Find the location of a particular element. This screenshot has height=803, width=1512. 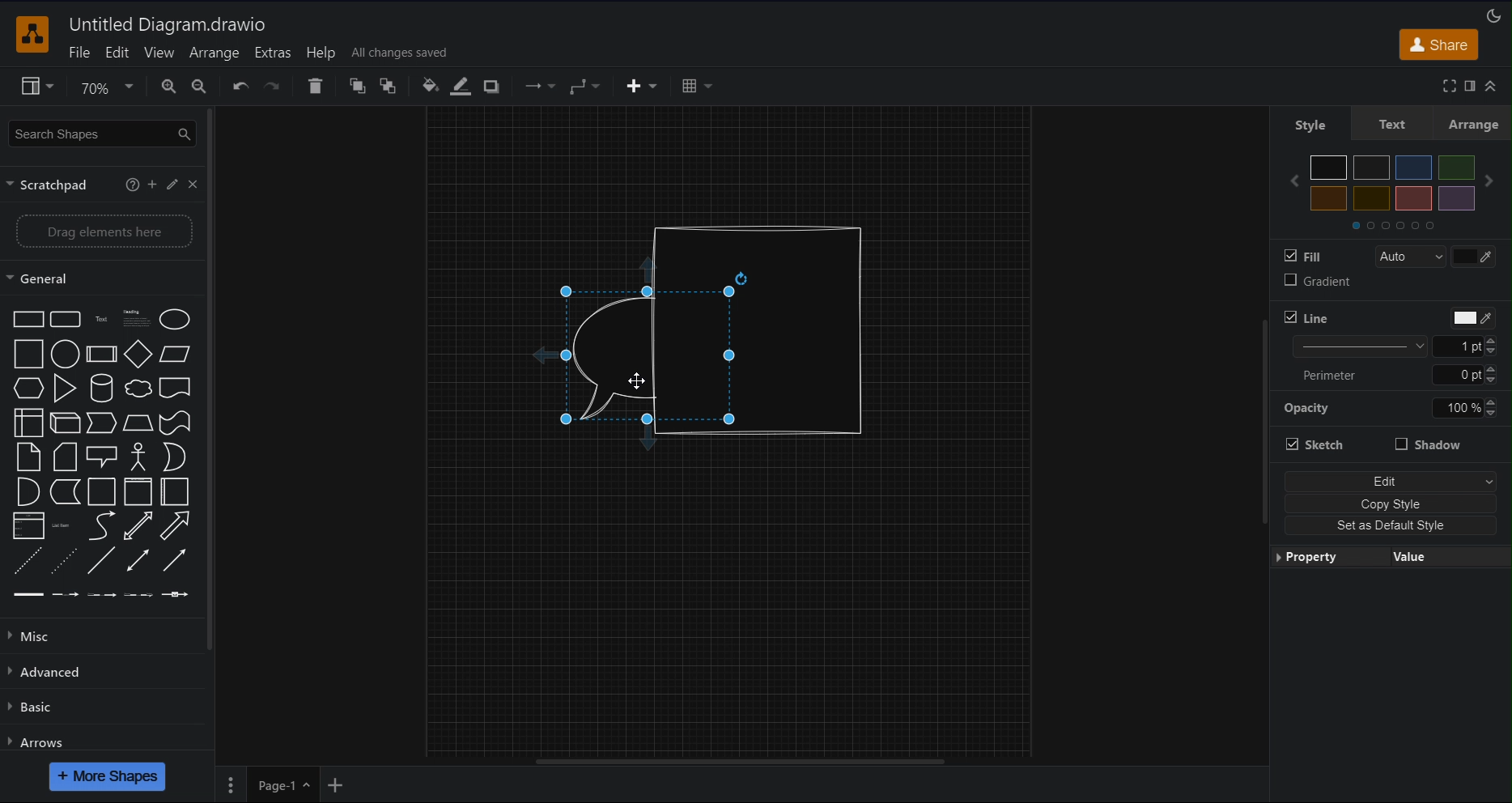

Auto is located at coordinates (1412, 257).